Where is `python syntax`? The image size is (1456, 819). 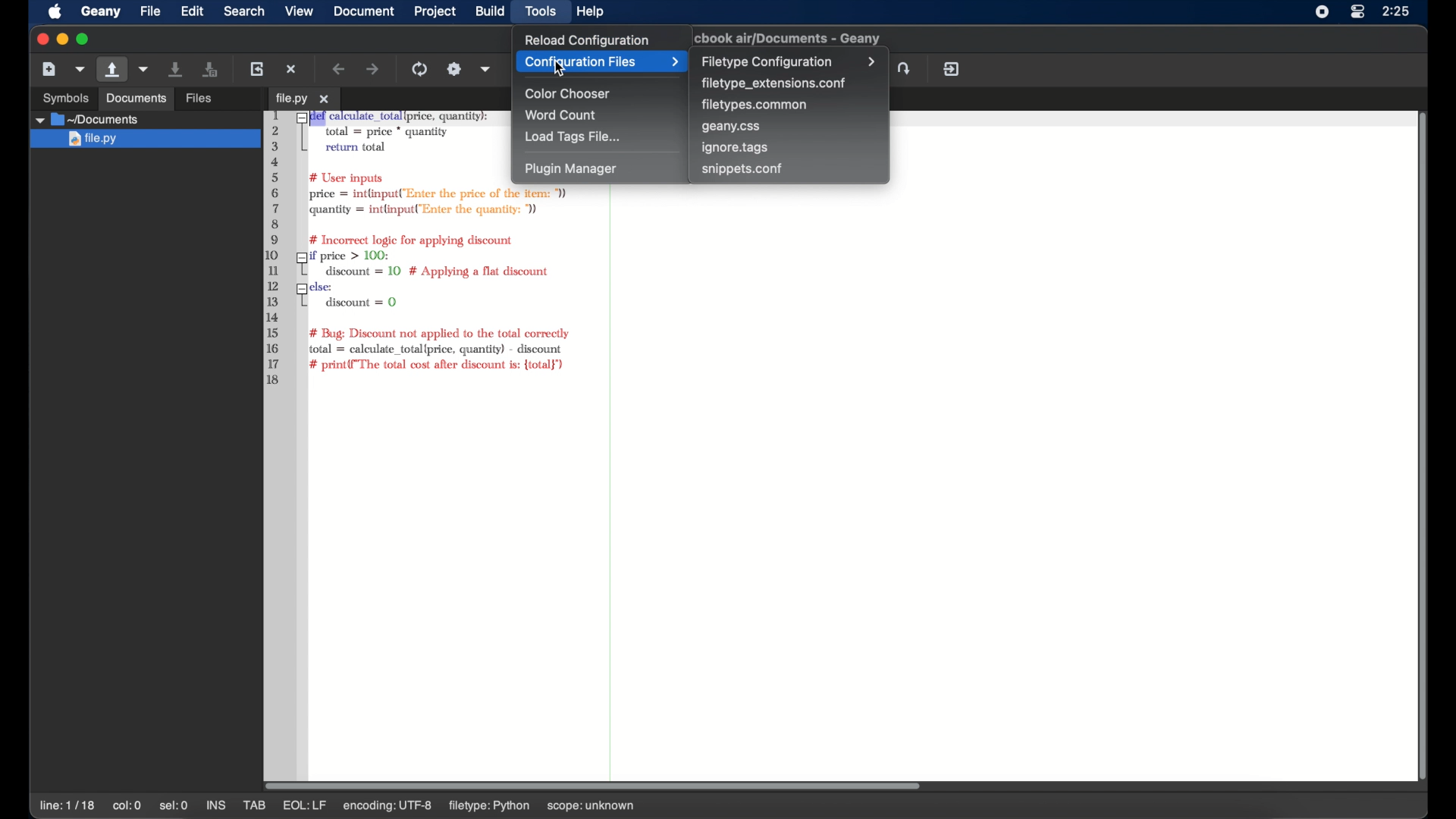
python syntax is located at coordinates (381, 249).